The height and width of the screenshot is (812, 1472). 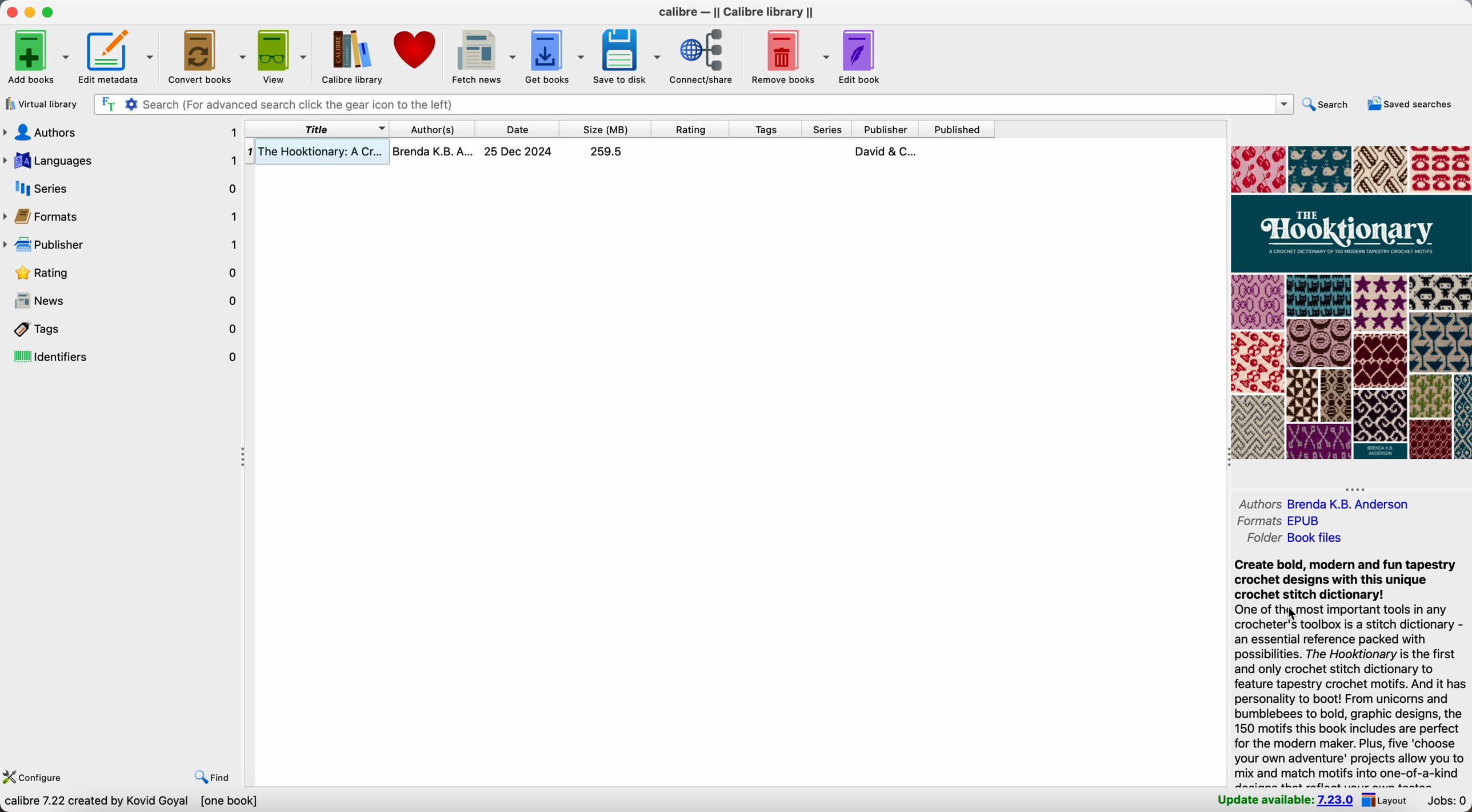 What do you see at coordinates (49, 12) in the screenshot?
I see `maximize` at bounding box center [49, 12].